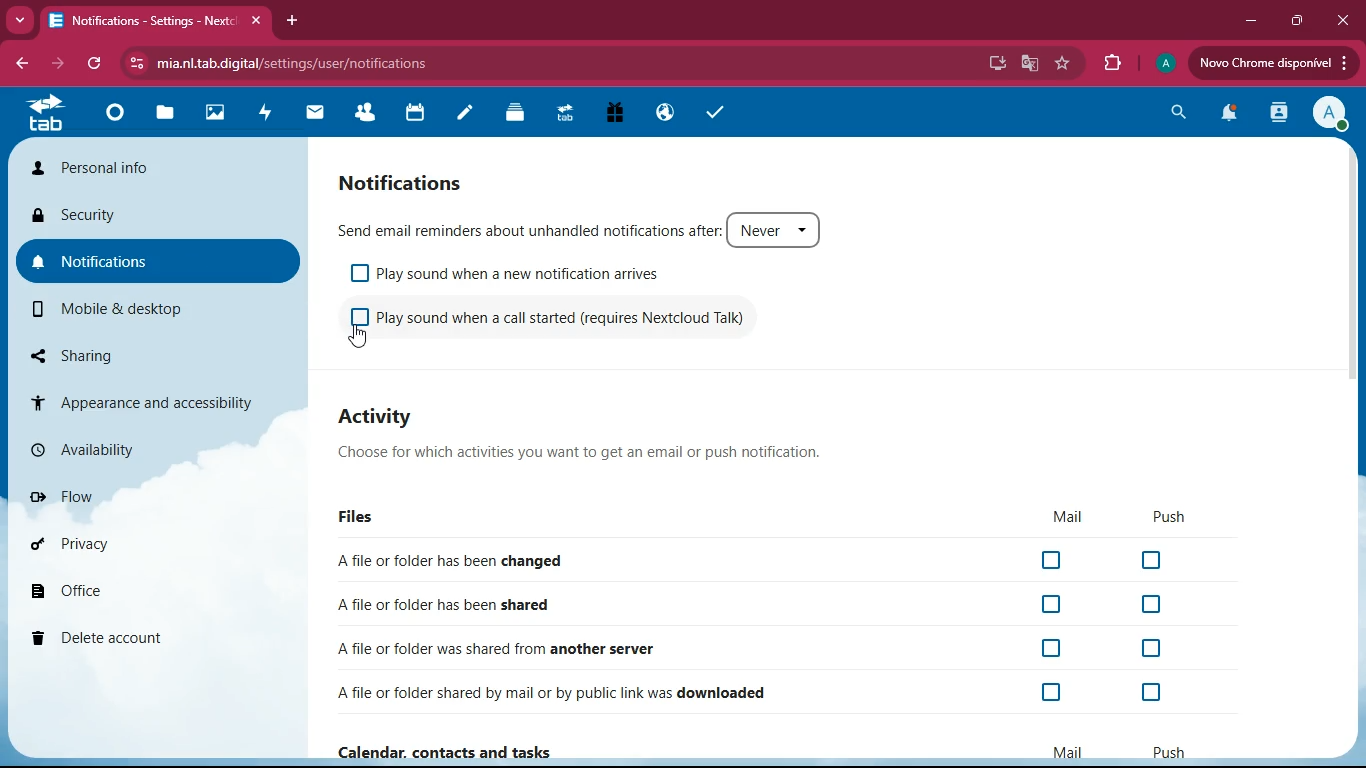  What do you see at coordinates (67, 592) in the screenshot?
I see `office` at bounding box center [67, 592].